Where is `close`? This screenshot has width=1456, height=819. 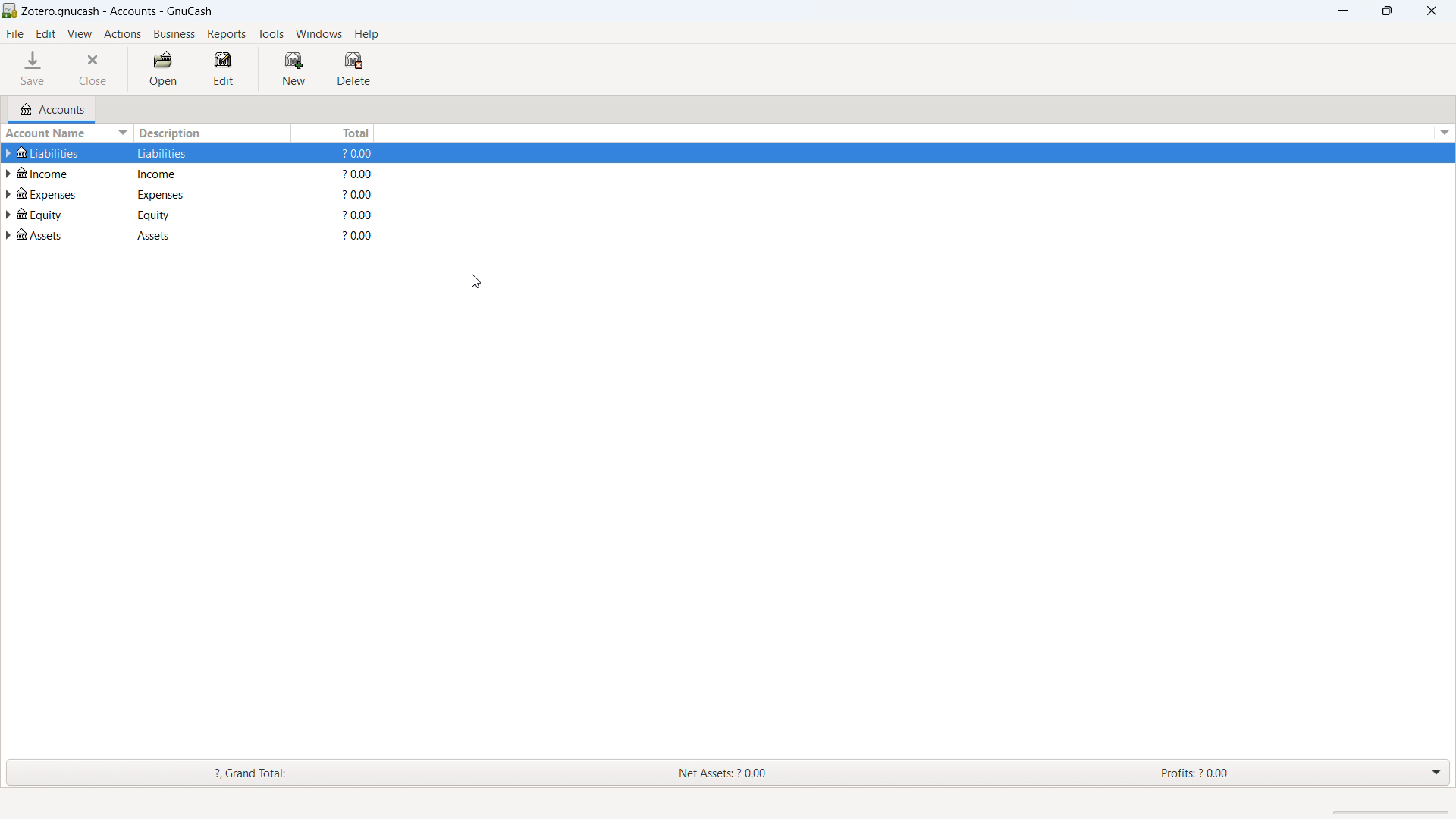
close is located at coordinates (1432, 11).